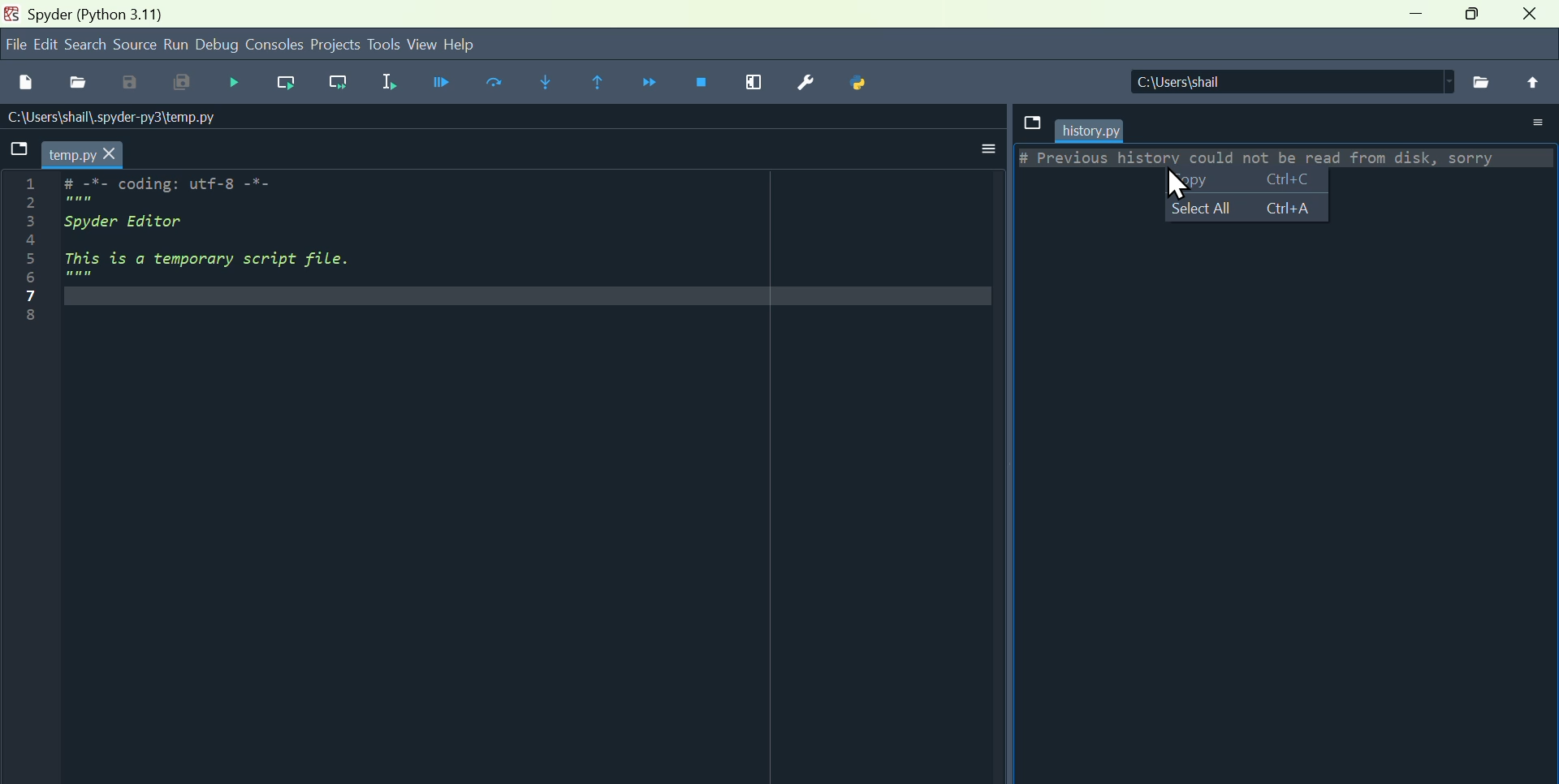 The width and height of the screenshot is (1559, 784). What do you see at coordinates (21, 153) in the screenshot?
I see `Browse tabs` at bounding box center [21, 153].